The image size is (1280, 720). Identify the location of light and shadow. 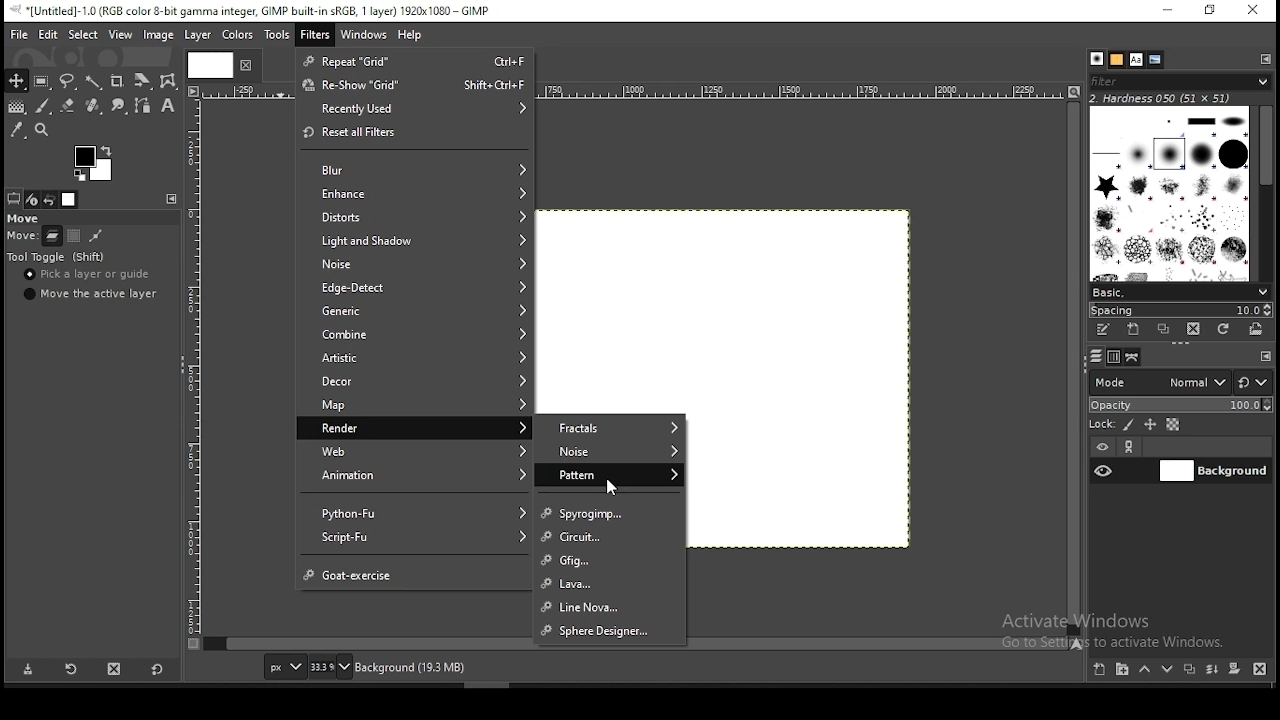
(415, 239).